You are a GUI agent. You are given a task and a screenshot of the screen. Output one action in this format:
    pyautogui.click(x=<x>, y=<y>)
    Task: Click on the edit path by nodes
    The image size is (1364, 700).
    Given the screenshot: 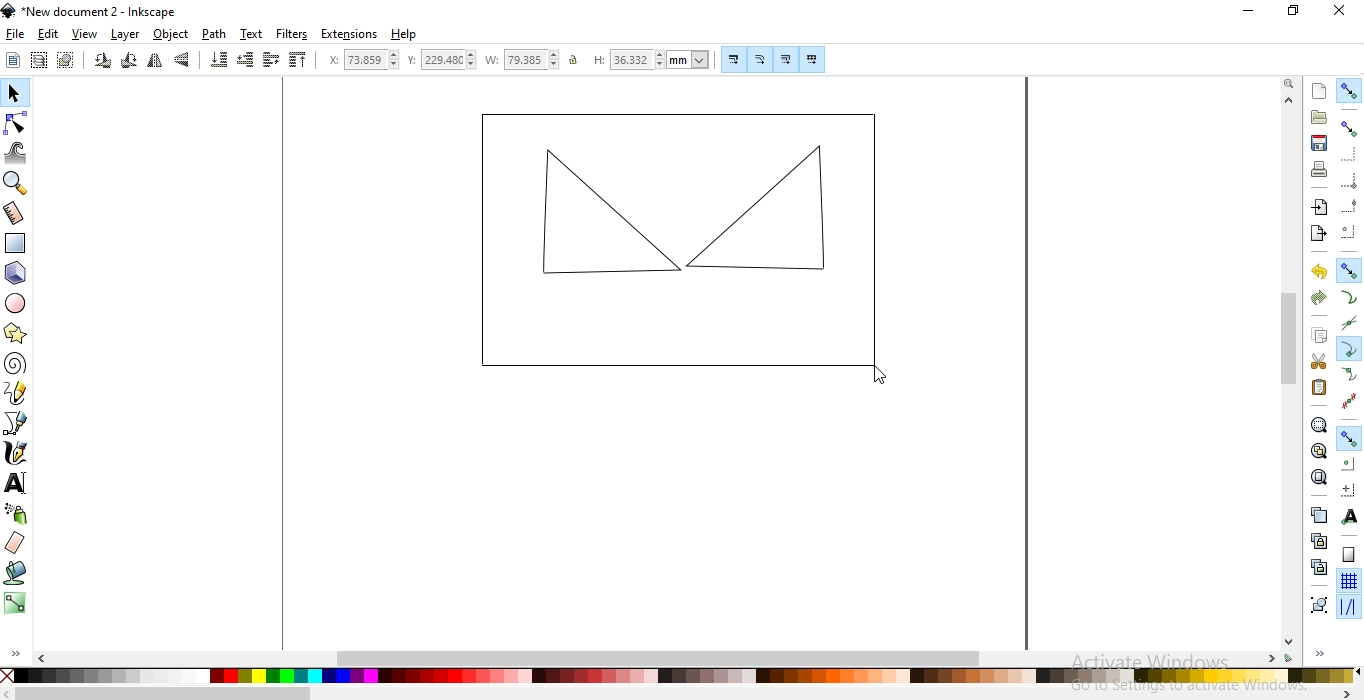 What is the action you would take?
    pyautogui.click(x=15, y=126)
    